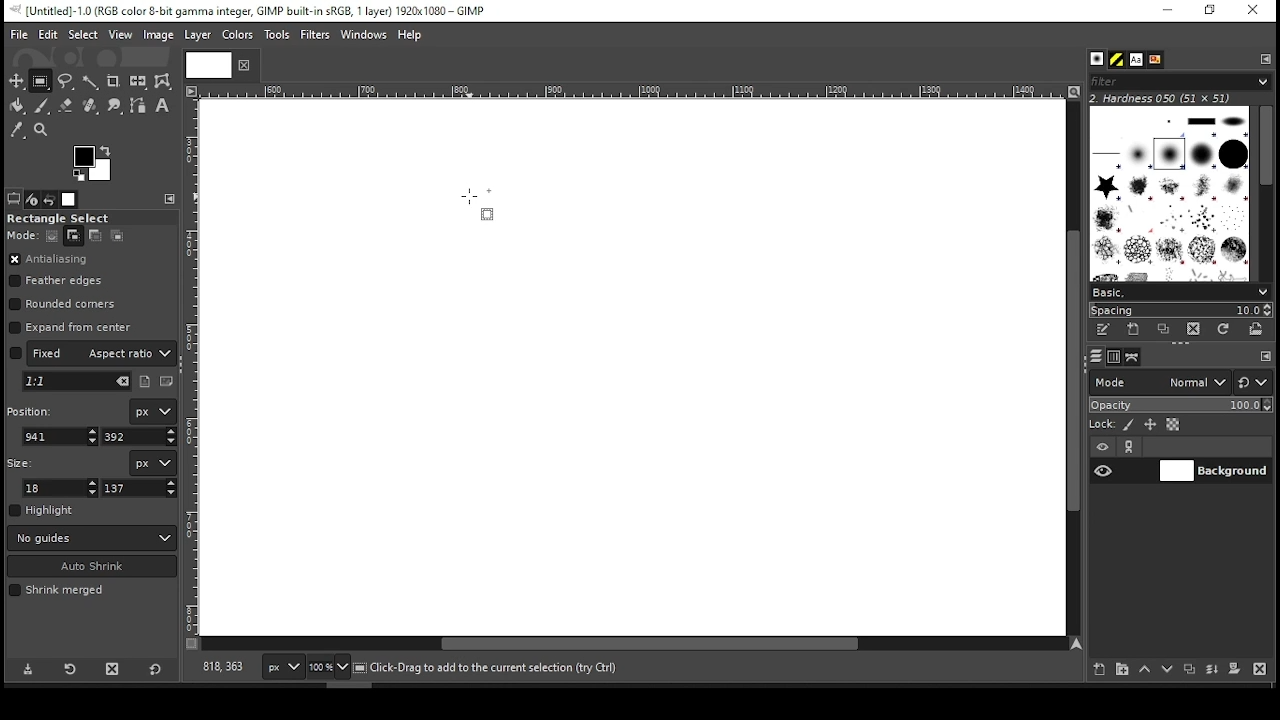 The image size is (1280, 720). What do you see at coordinates (238, 34) in the screenshot?
I see `color` at bounding box center [238, 34].